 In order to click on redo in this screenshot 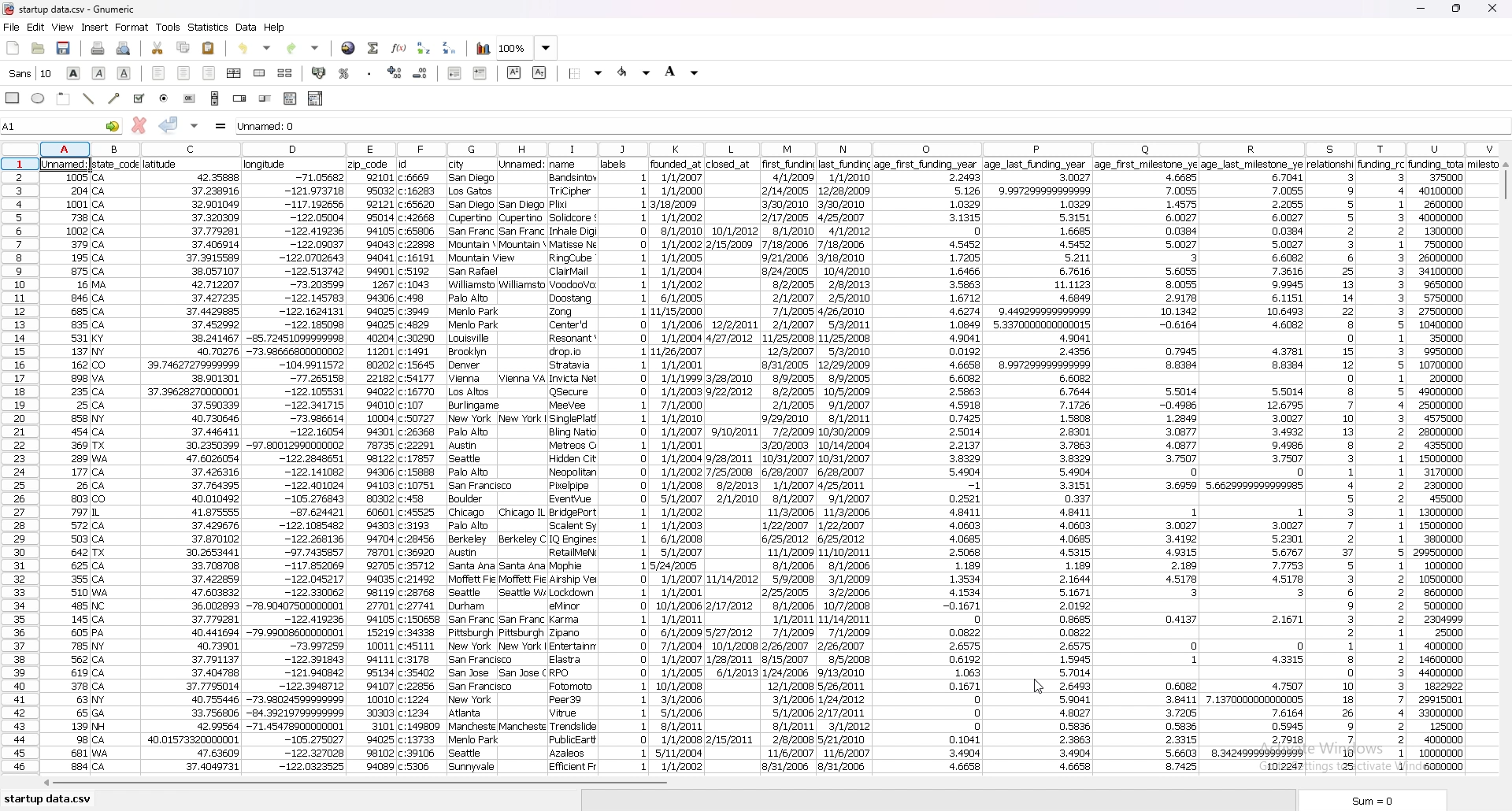, I will do `click(303, 47)`.